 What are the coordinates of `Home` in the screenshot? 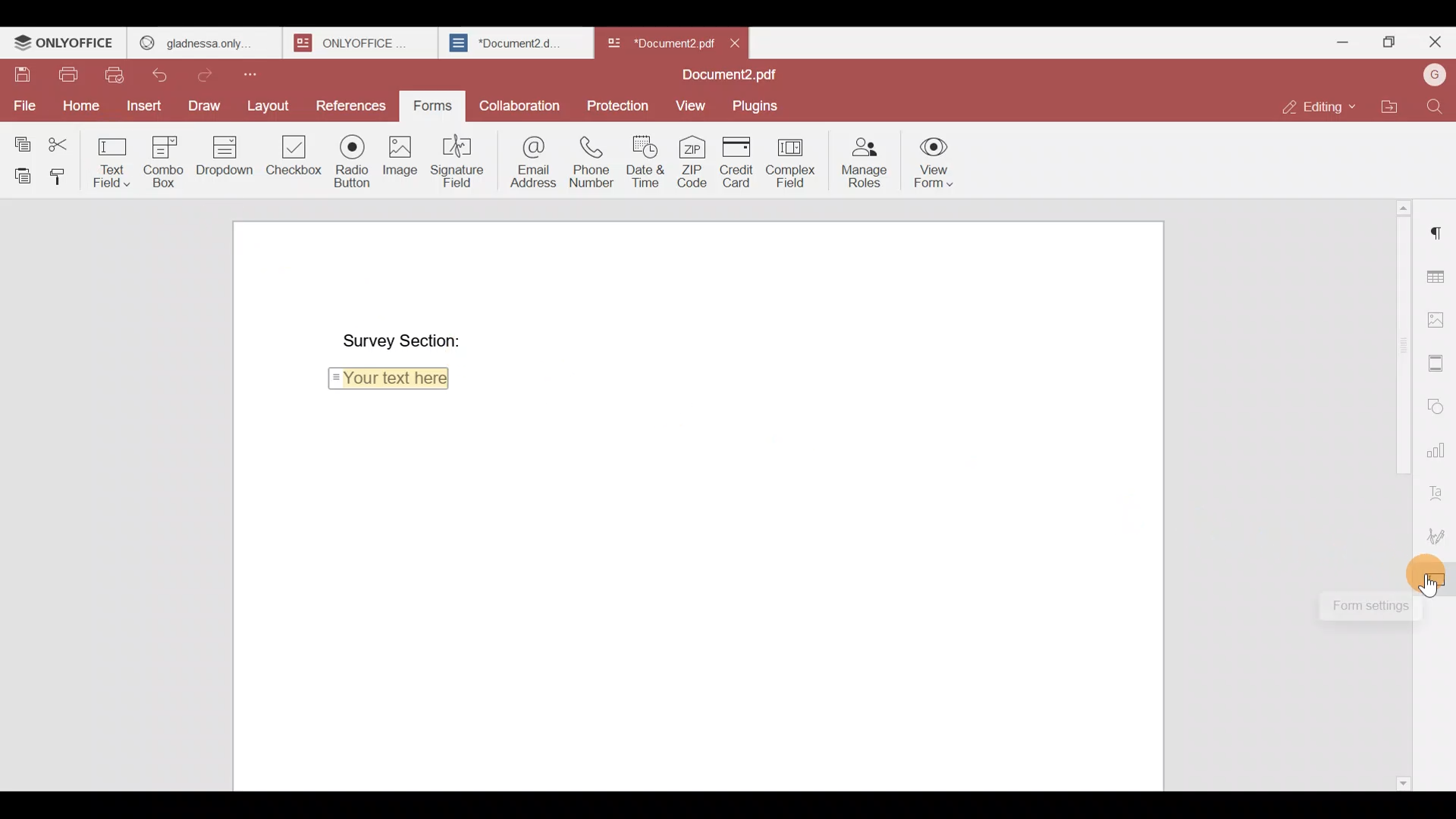 It's located at (79, 104).